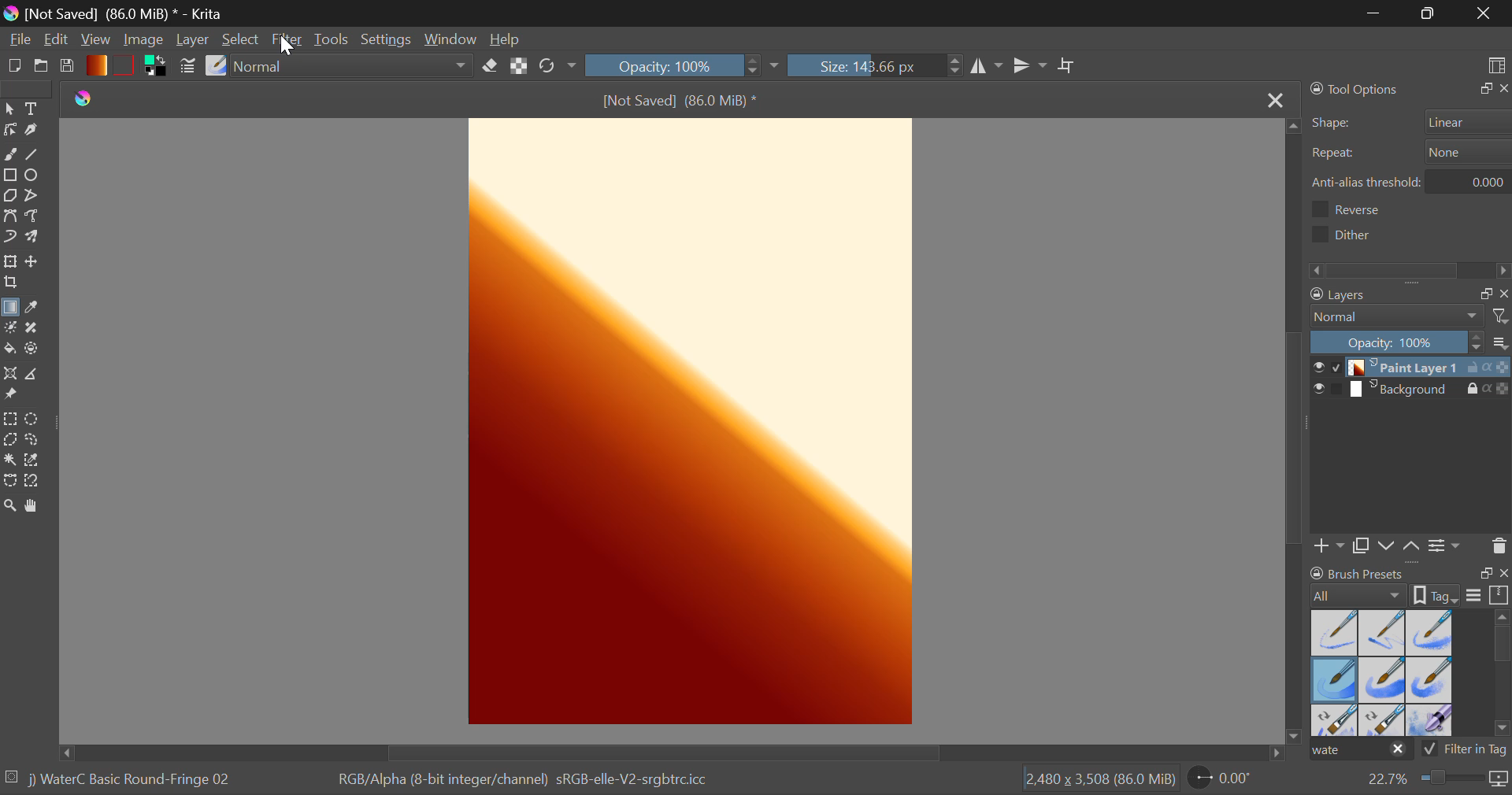 The width and height of the screenshot is (1512, 795). What do you see at coordinates (18, 38) in the screenshot?
I see `File` at bounding box center [18, 38].